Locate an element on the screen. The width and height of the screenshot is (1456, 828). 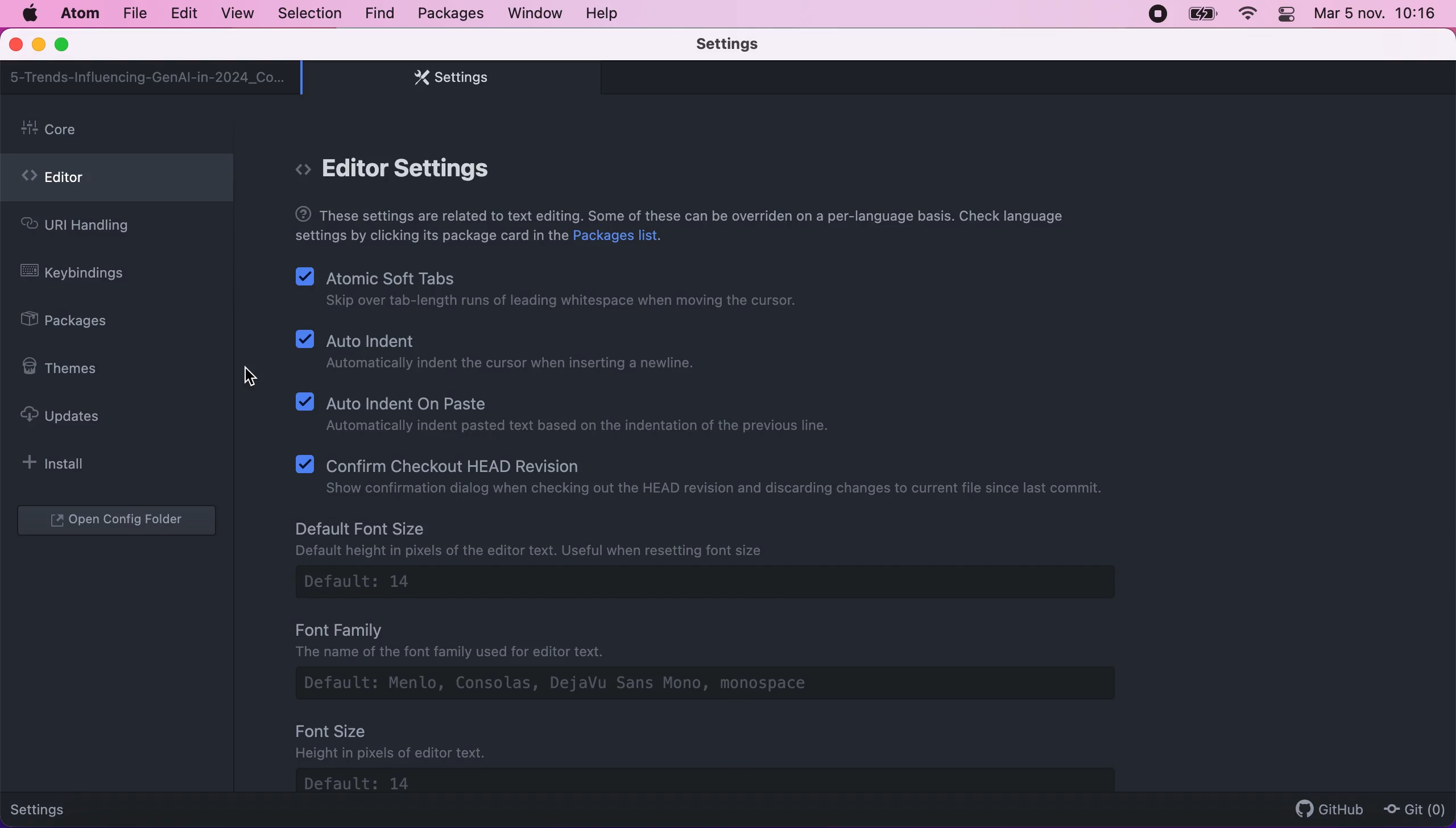
font family is located at coordinates (726, 664).